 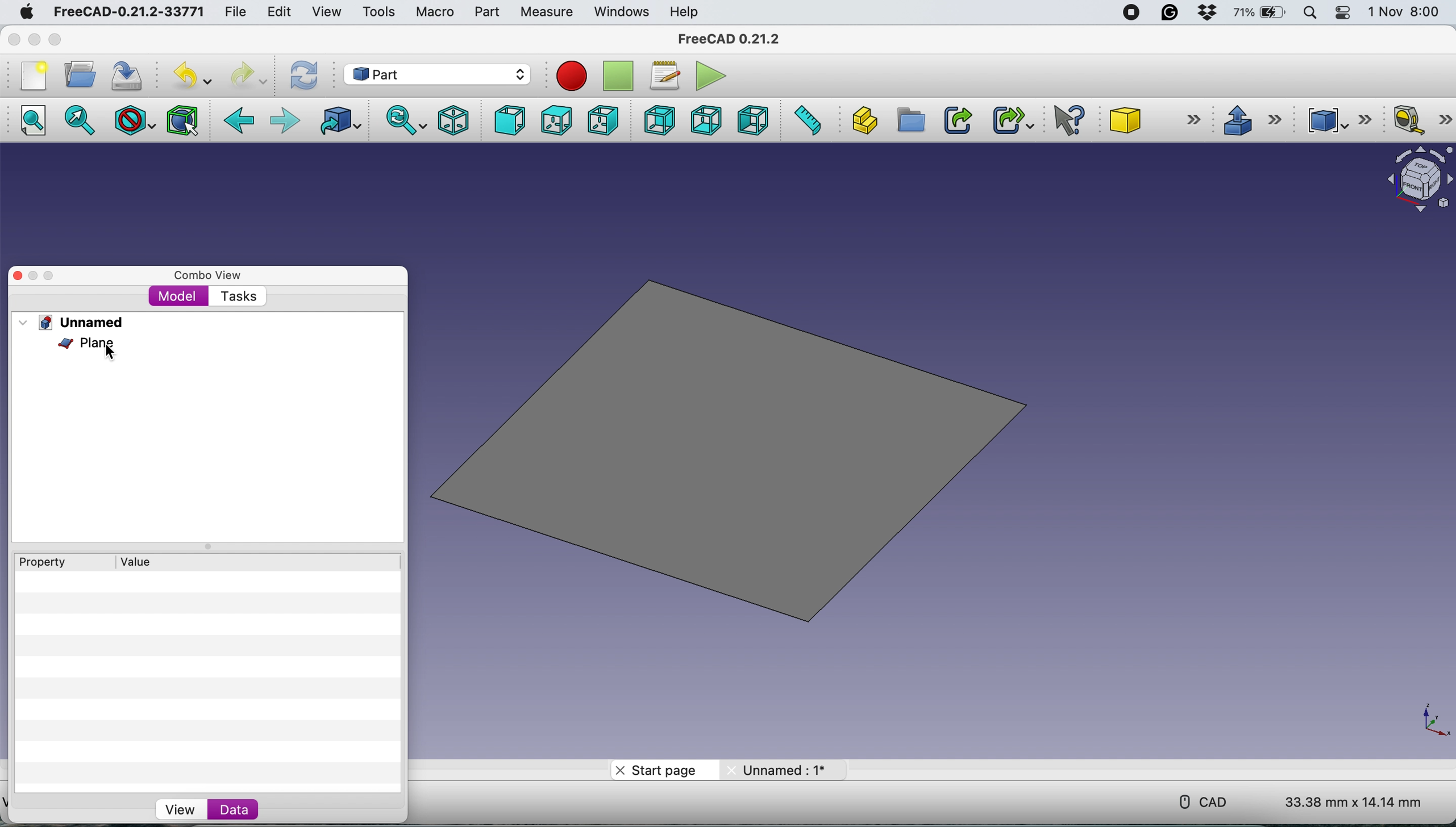 What do you see at coordinates (1170, 14) in the screenshot?
I see `grammarly` at bounding box center [1170, 14].